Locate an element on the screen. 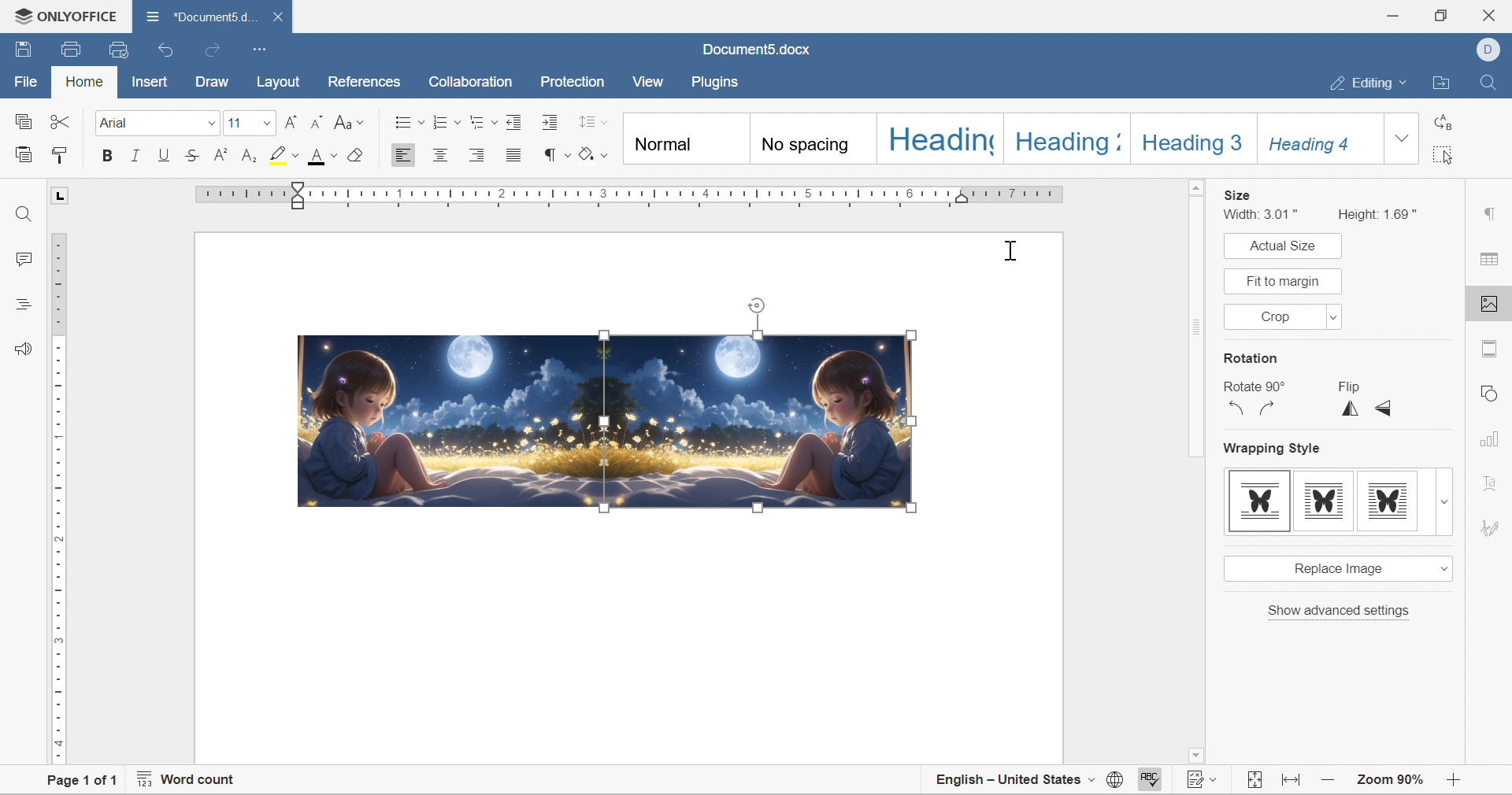  headings is located at coordinates (23, 305).